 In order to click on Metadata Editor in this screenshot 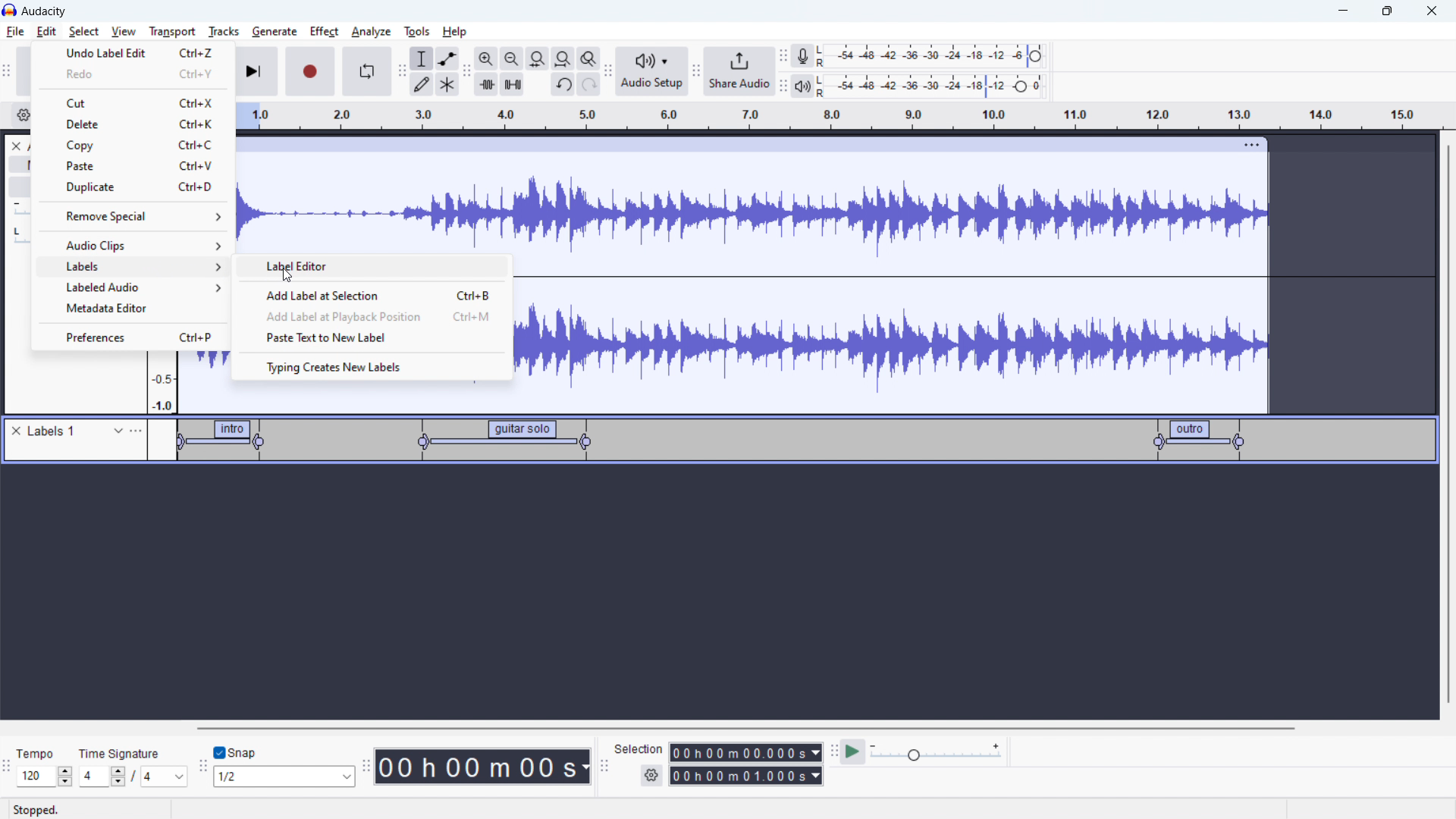, I will do `click(110, 308)`.